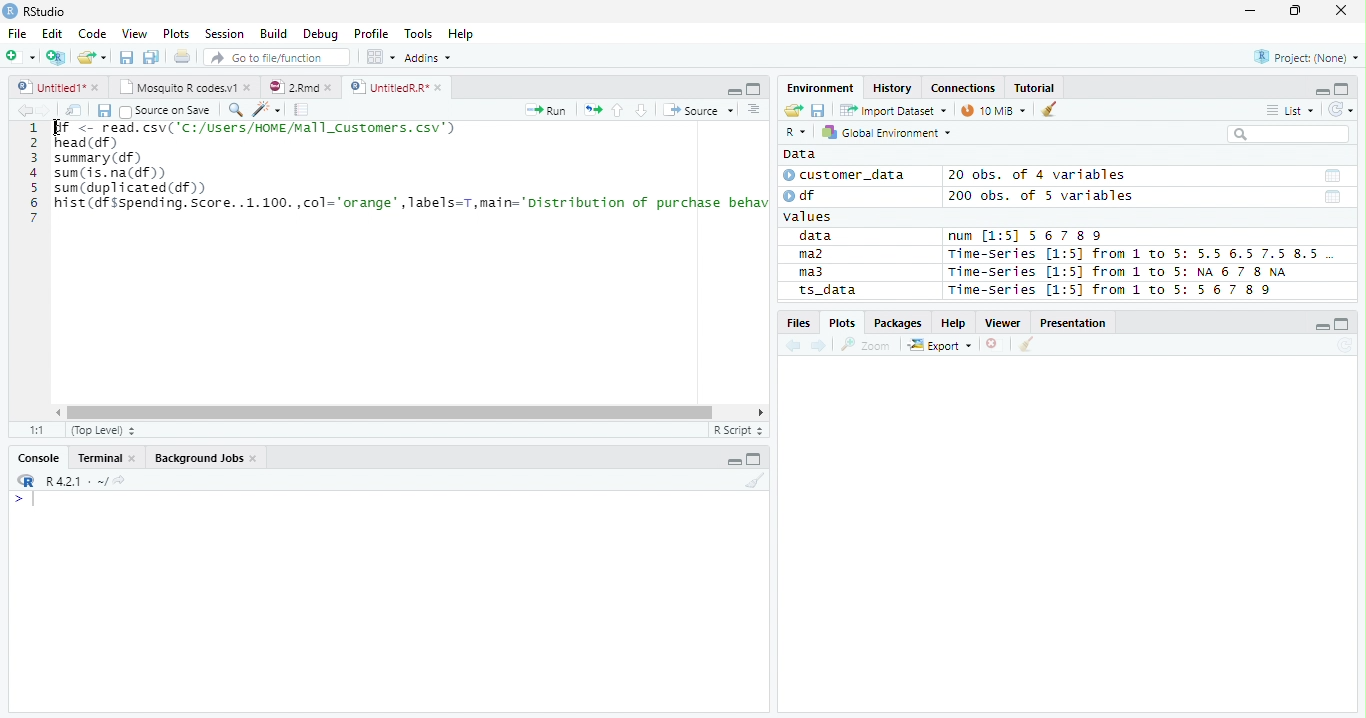 Image resolution: width=1366 pixels, height=718 pixels. I want to click on Import Dataset, so click(891, 110).